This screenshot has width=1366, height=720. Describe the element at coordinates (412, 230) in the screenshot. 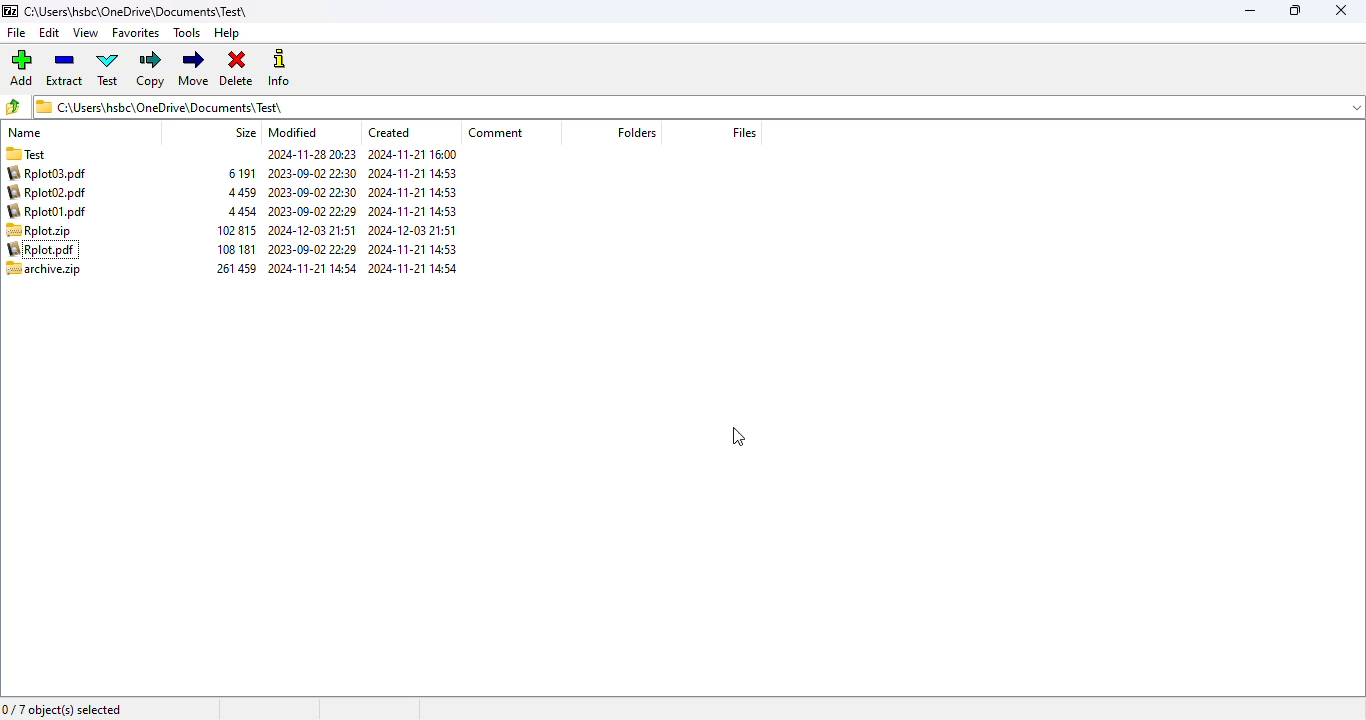

I see `created date and time` at that location.